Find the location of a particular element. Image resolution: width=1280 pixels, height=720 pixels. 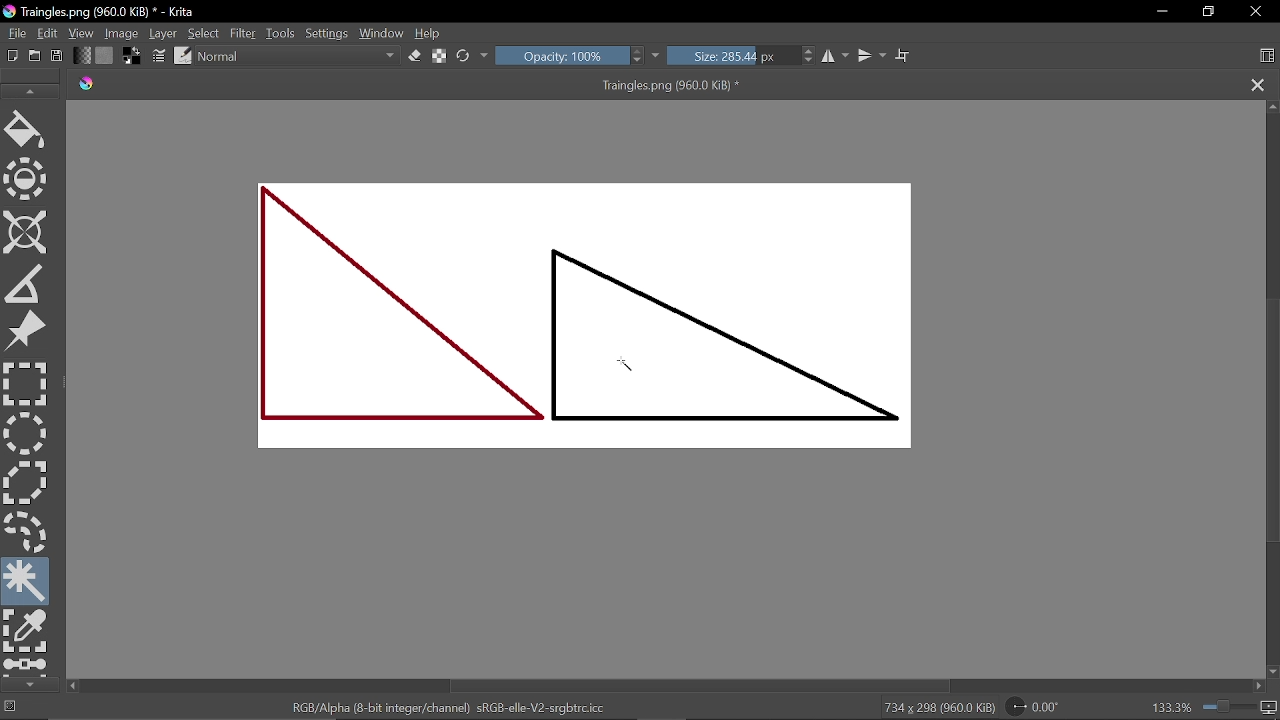

Window is located at coordinates (383, 31).